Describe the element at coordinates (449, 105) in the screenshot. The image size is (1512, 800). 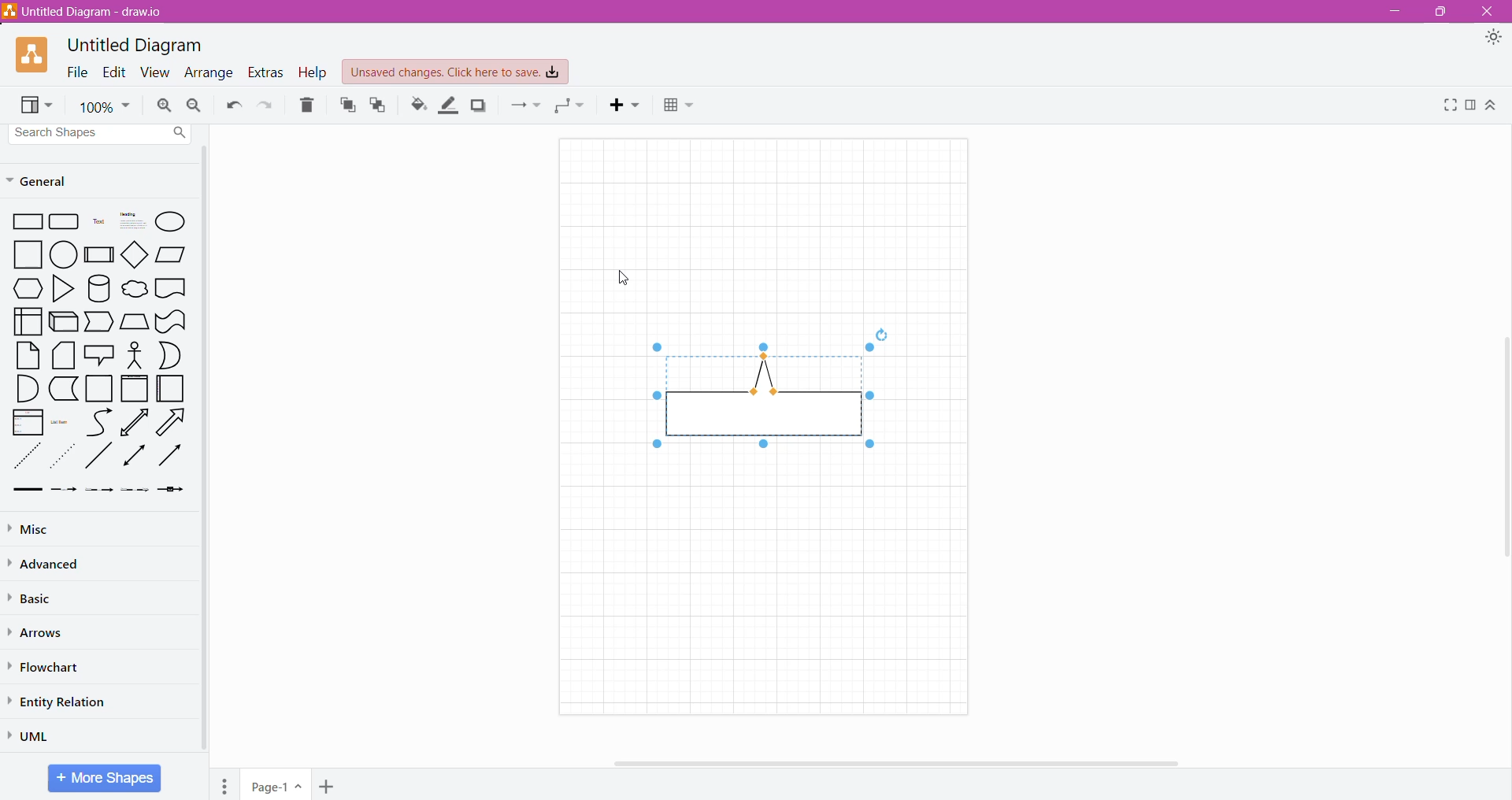
I see `Line Color` at that location.